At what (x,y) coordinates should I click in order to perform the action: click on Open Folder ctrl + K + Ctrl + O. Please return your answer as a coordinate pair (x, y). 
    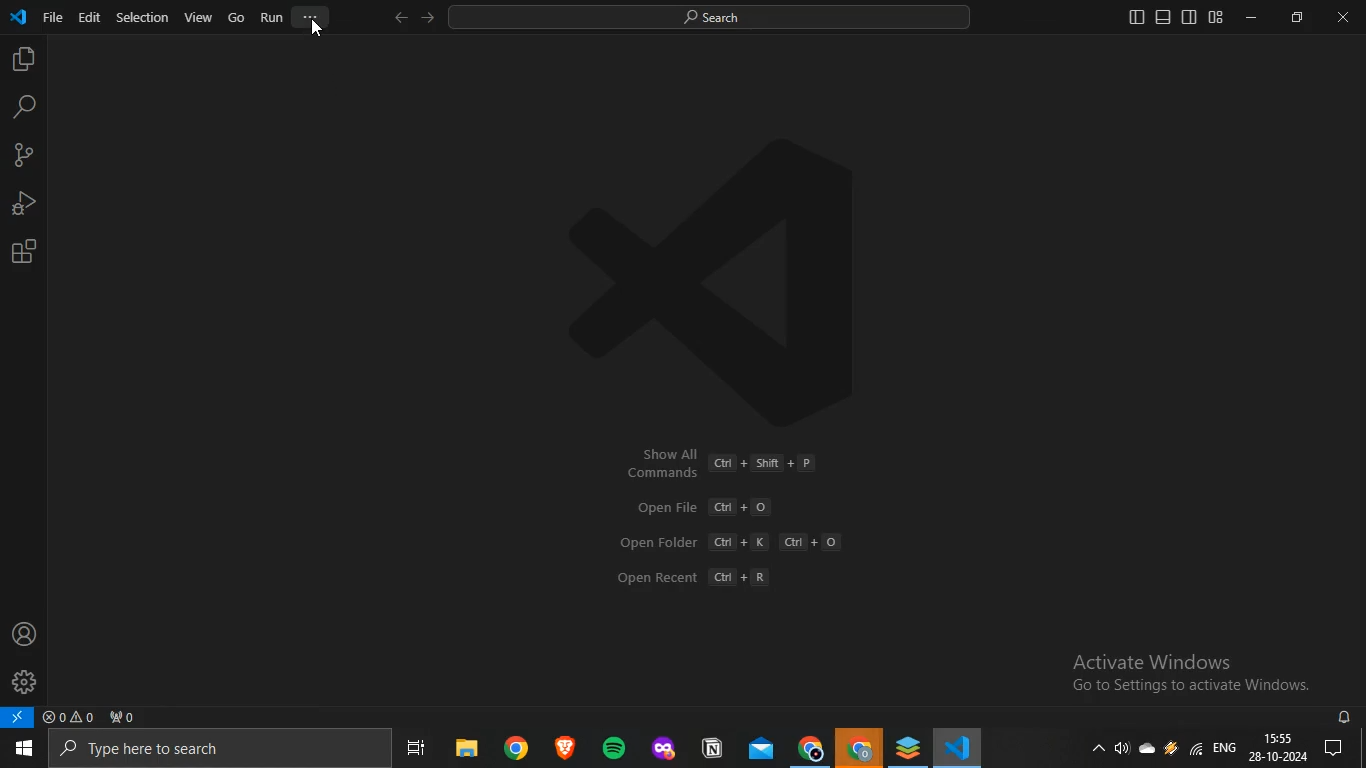
    Looking at the image, I should click on (740, 543).